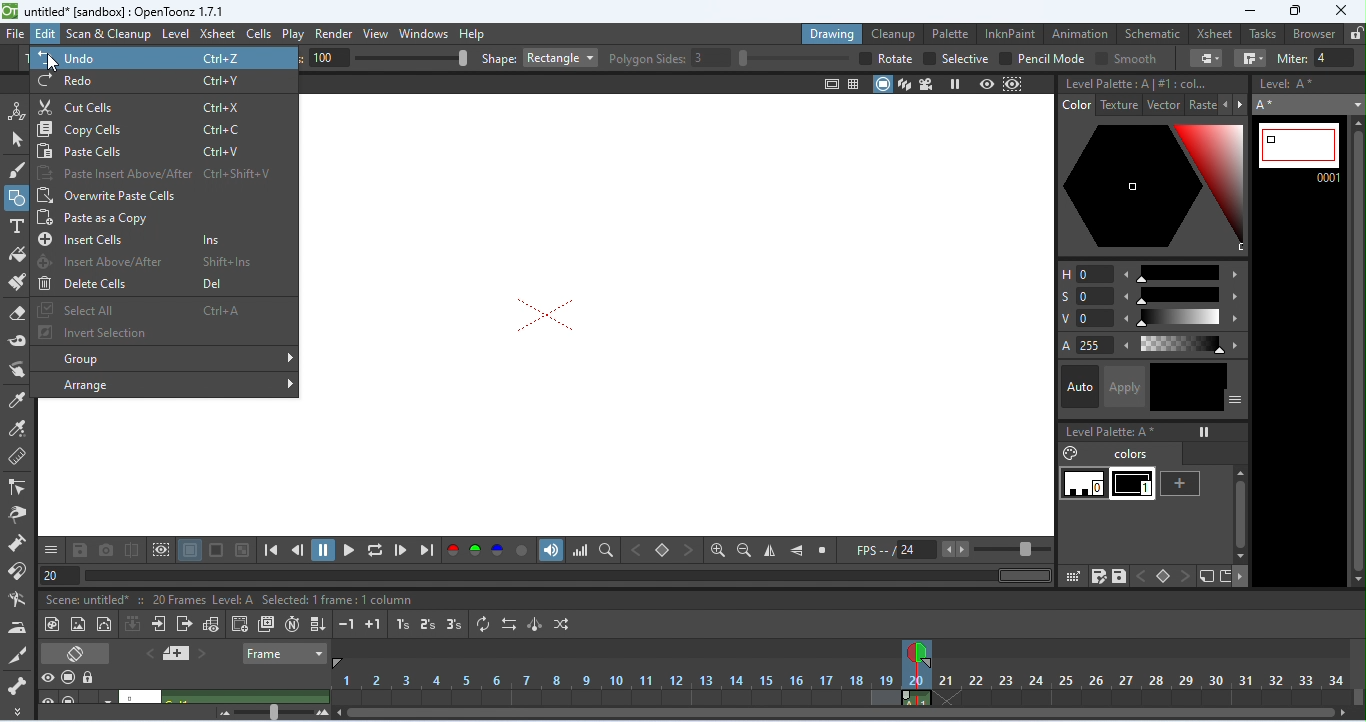 Image resolution: width=1366 pixels, height=722 pixels. I want to click on geometric, so click(18, 199).